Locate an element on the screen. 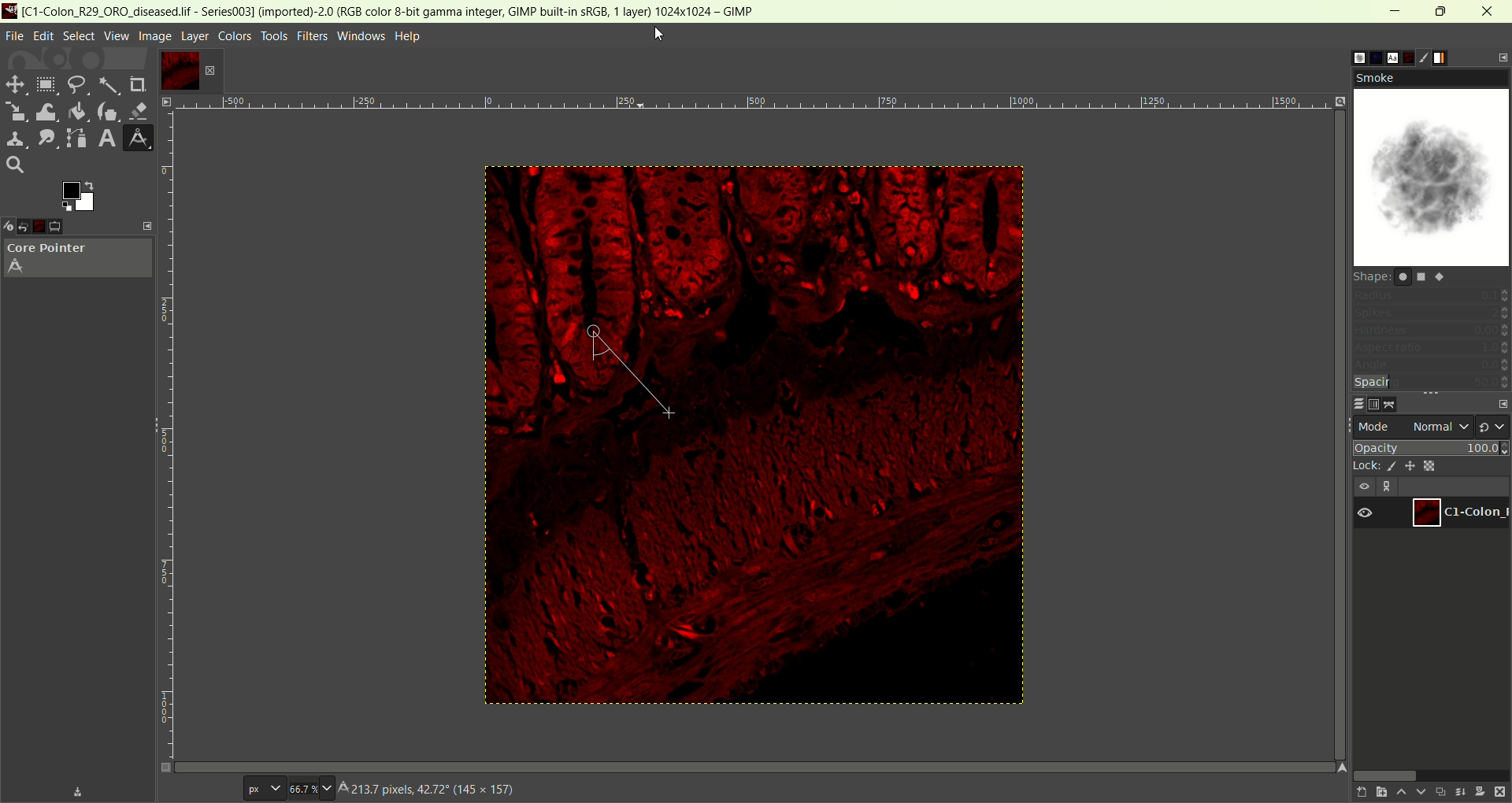 This screenshot has height=803, width=1512. scale bar is located at coordinates (172, 427).